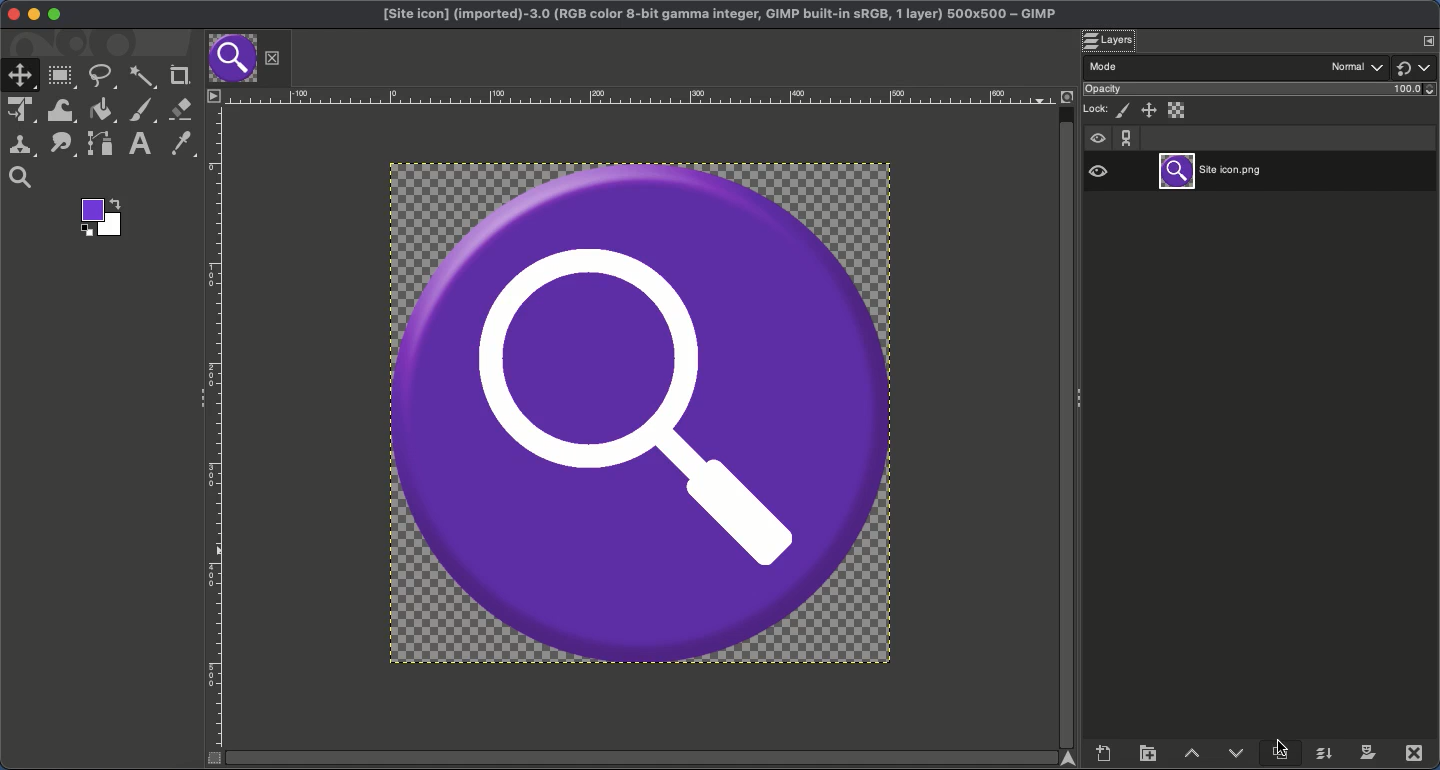 Image resolution: width=1440 pixels, height=770 pixels. What do you see at coordinates (1322, 751) in the screenshot?
I see `Merge layers` at bounding box center [1322, 751].